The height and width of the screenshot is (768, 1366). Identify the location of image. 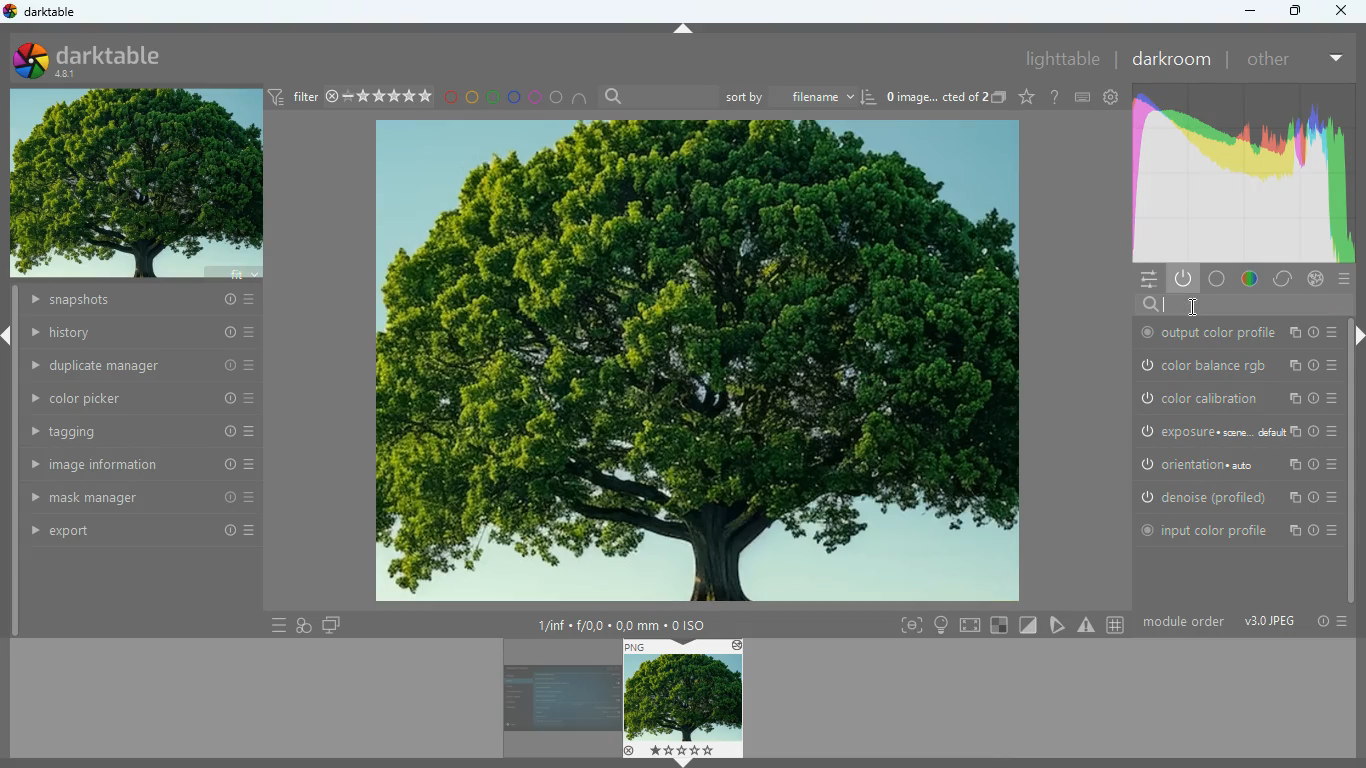
(553, 700).